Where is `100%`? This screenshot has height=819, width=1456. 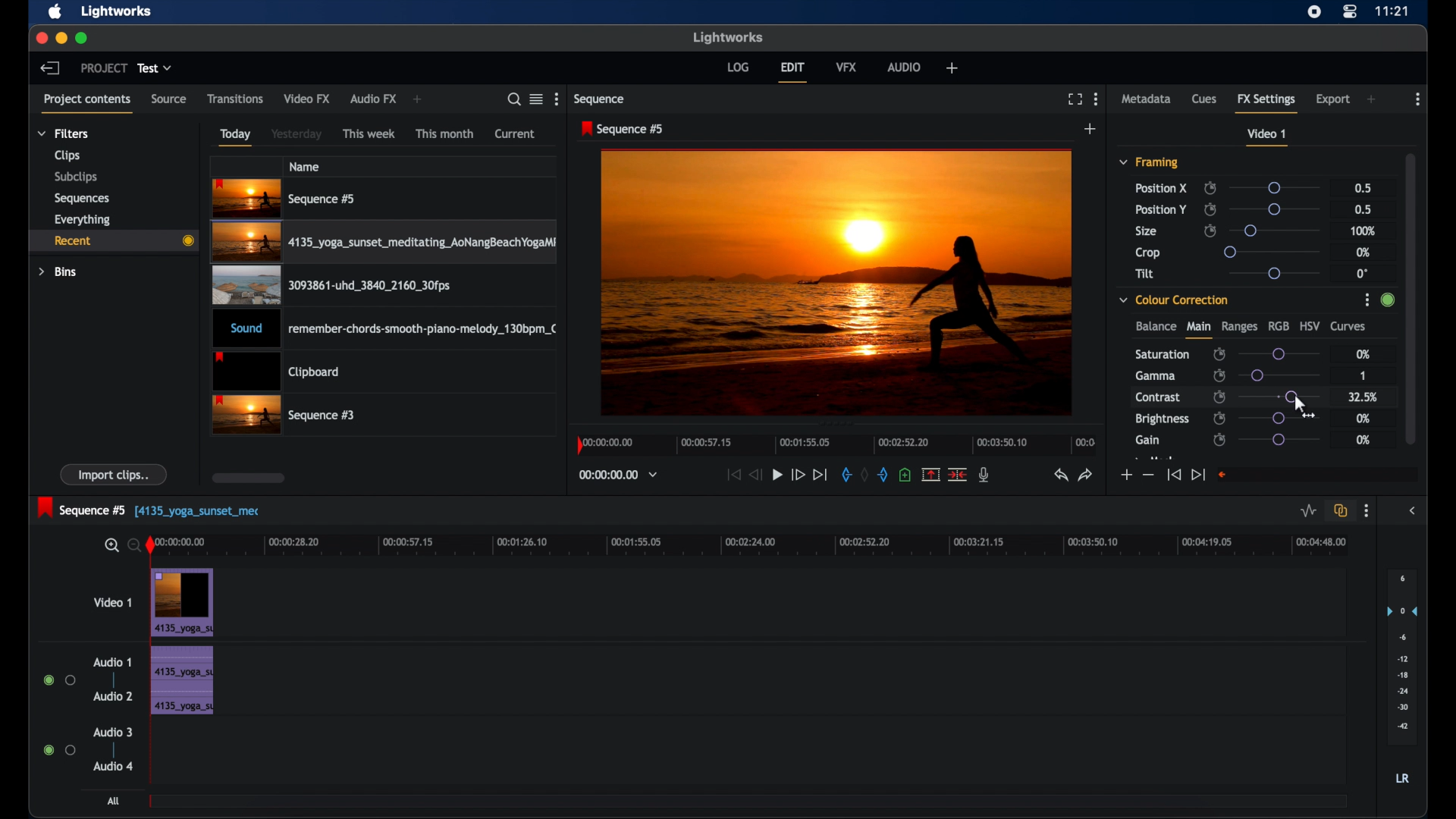
100% is located at coordinates (1363, 232).